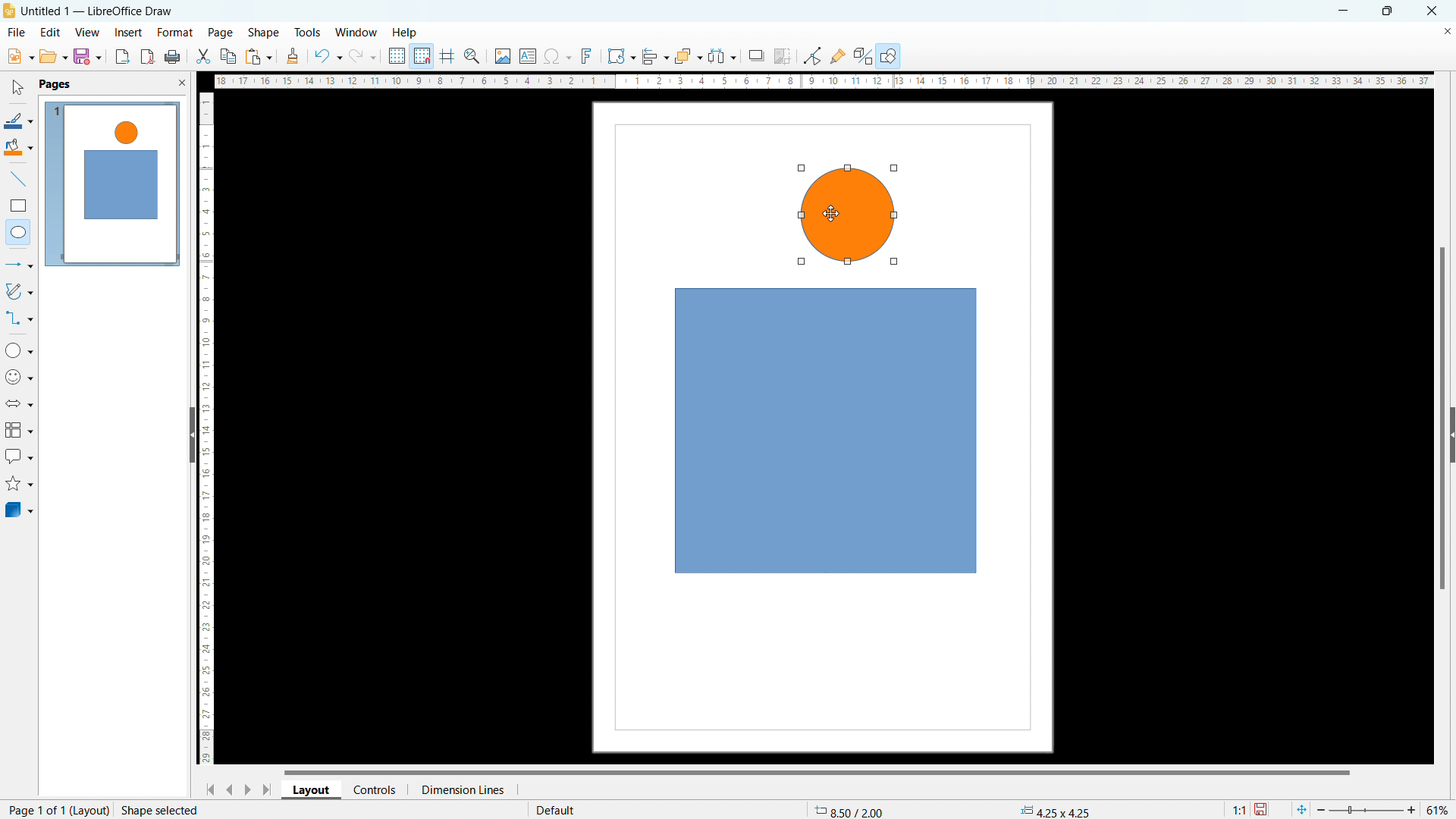 The height and width of the screenshot is (819, 1456). Describe the element at coordinates (783, 56) in the screenshot. I see `crop` at that location.